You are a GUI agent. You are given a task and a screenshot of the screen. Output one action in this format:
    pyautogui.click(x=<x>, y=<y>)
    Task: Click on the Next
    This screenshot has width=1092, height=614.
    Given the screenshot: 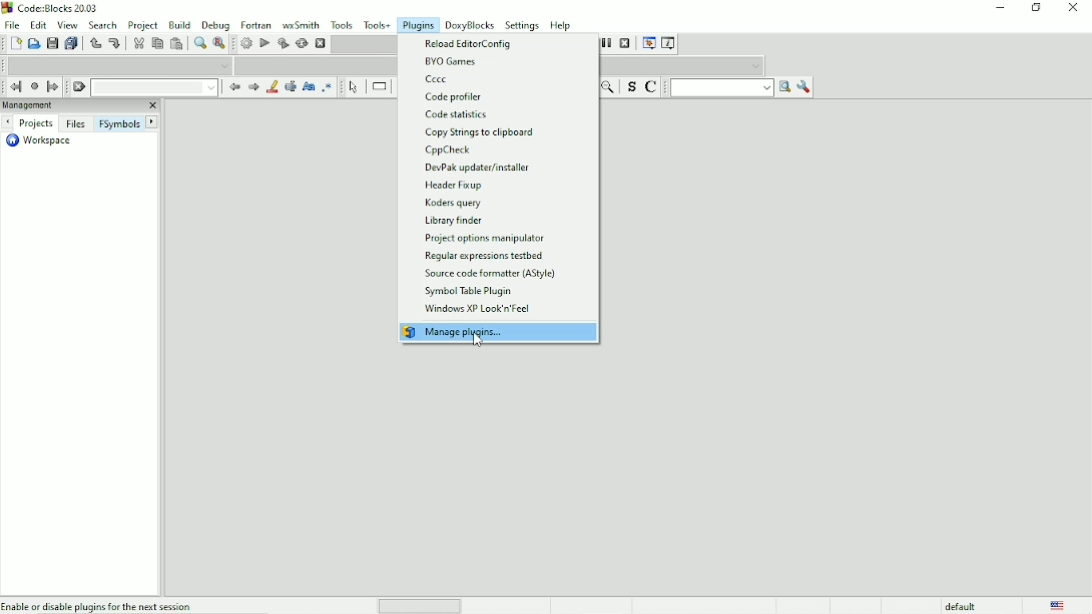 What is the action you would take?
    pyautogui.click(x=153, y=122)
    